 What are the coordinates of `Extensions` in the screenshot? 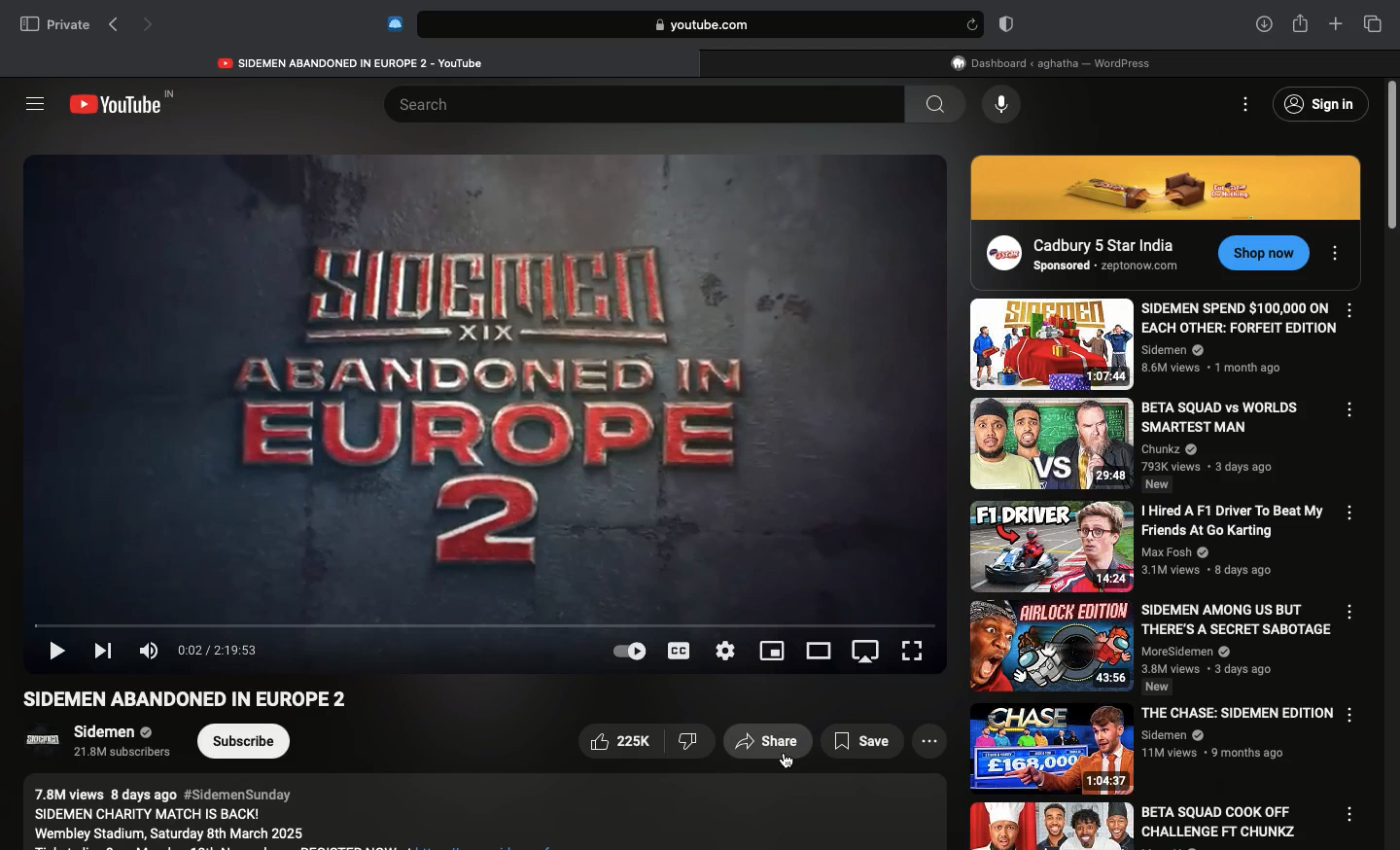 It's located at (393, 23).